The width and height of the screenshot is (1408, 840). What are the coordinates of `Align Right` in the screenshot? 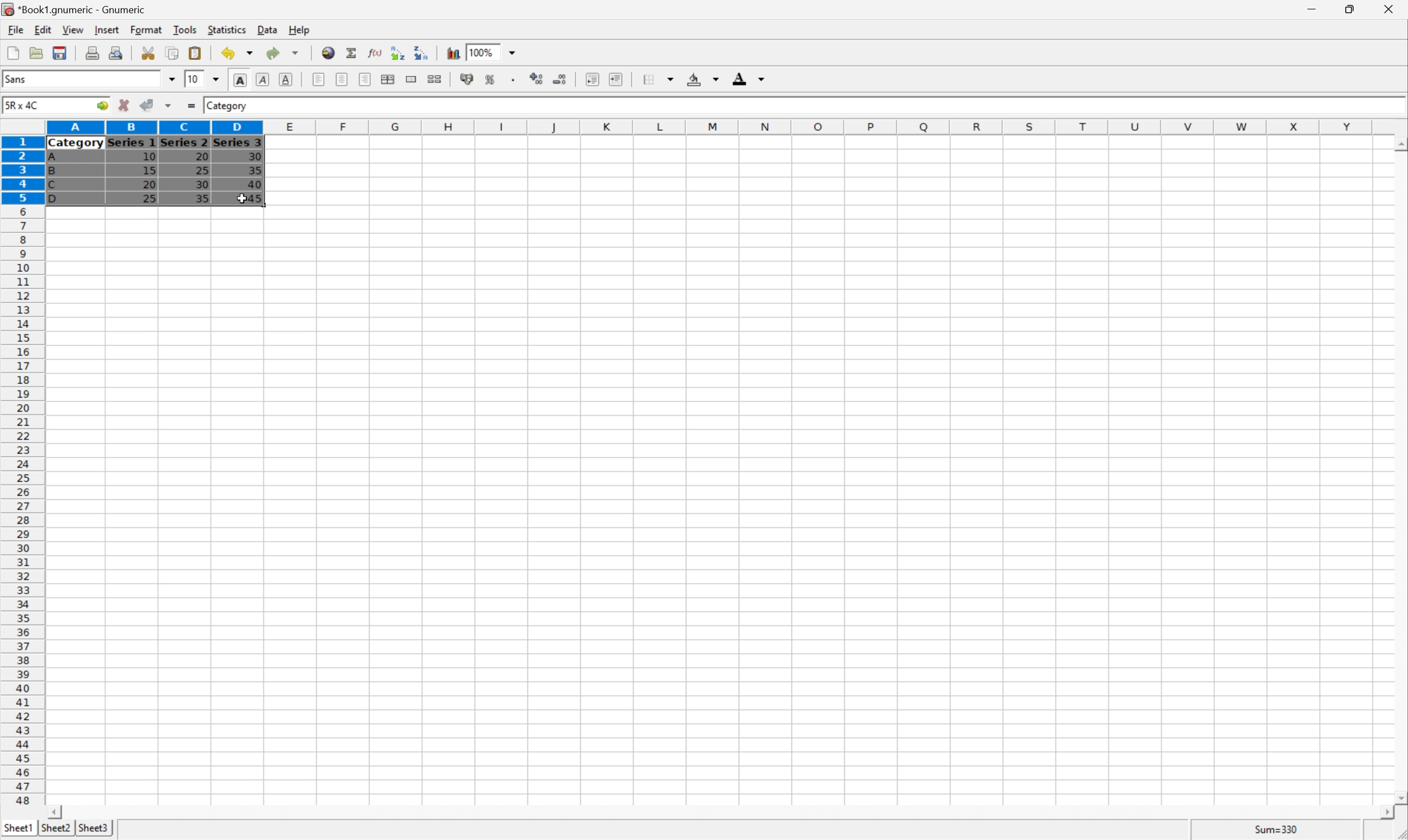 It's located at (365, 80).